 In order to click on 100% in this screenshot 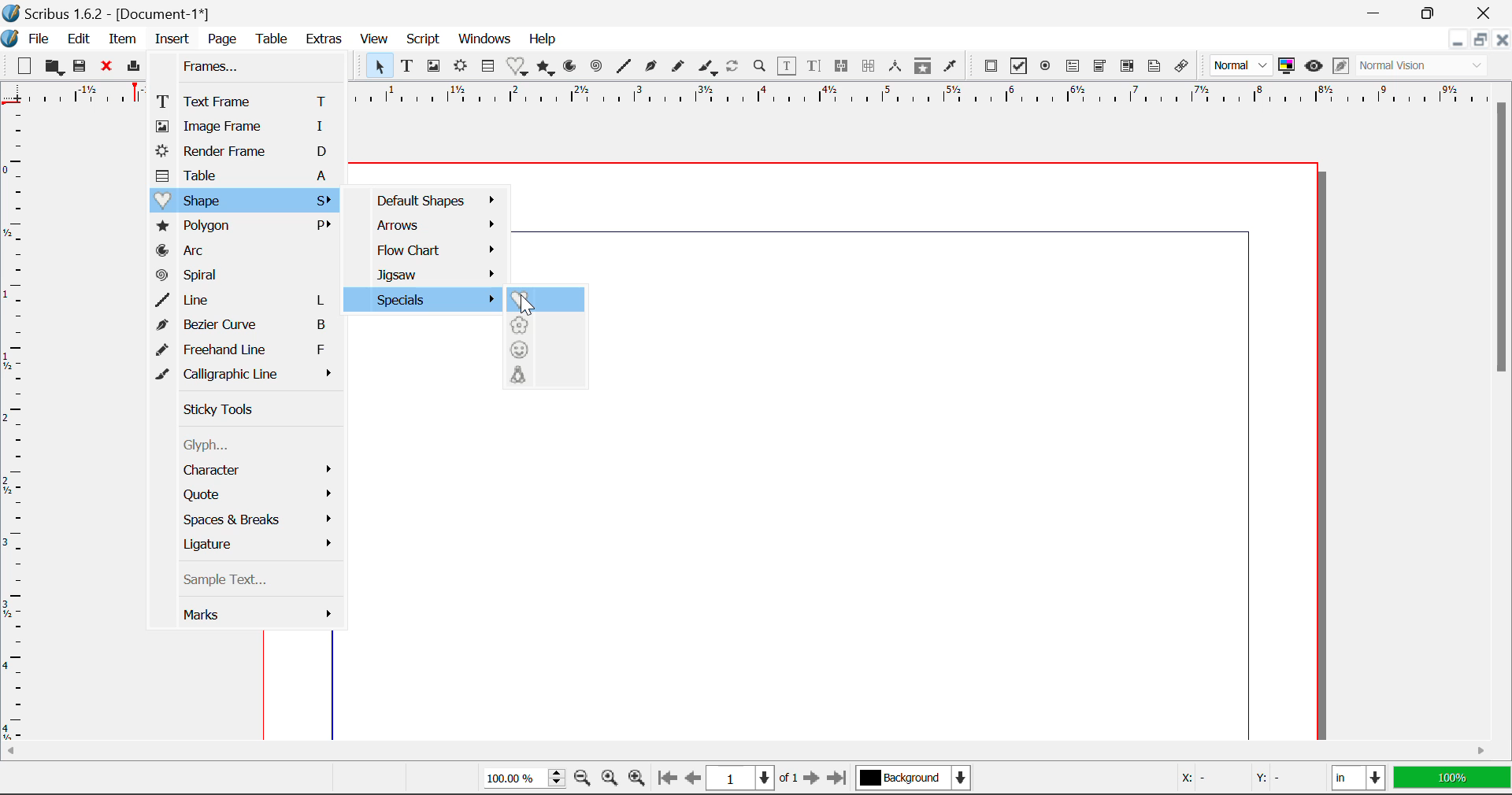, I will do `click(1451, 779)`.